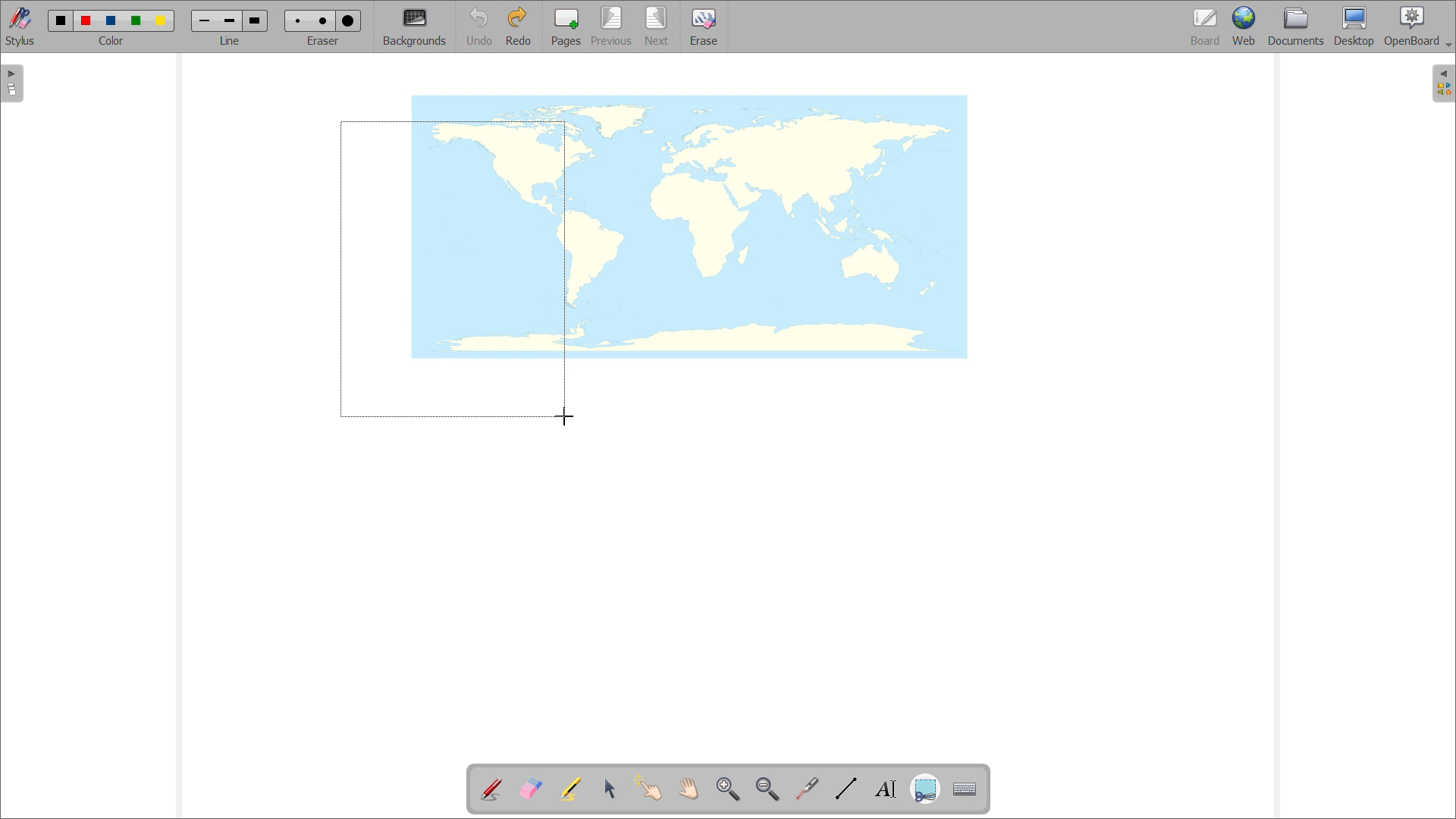  What do you see at coordinates (1444, 84) in the screenshot?
I see `open folder view` at bounding box center [1444, 84].